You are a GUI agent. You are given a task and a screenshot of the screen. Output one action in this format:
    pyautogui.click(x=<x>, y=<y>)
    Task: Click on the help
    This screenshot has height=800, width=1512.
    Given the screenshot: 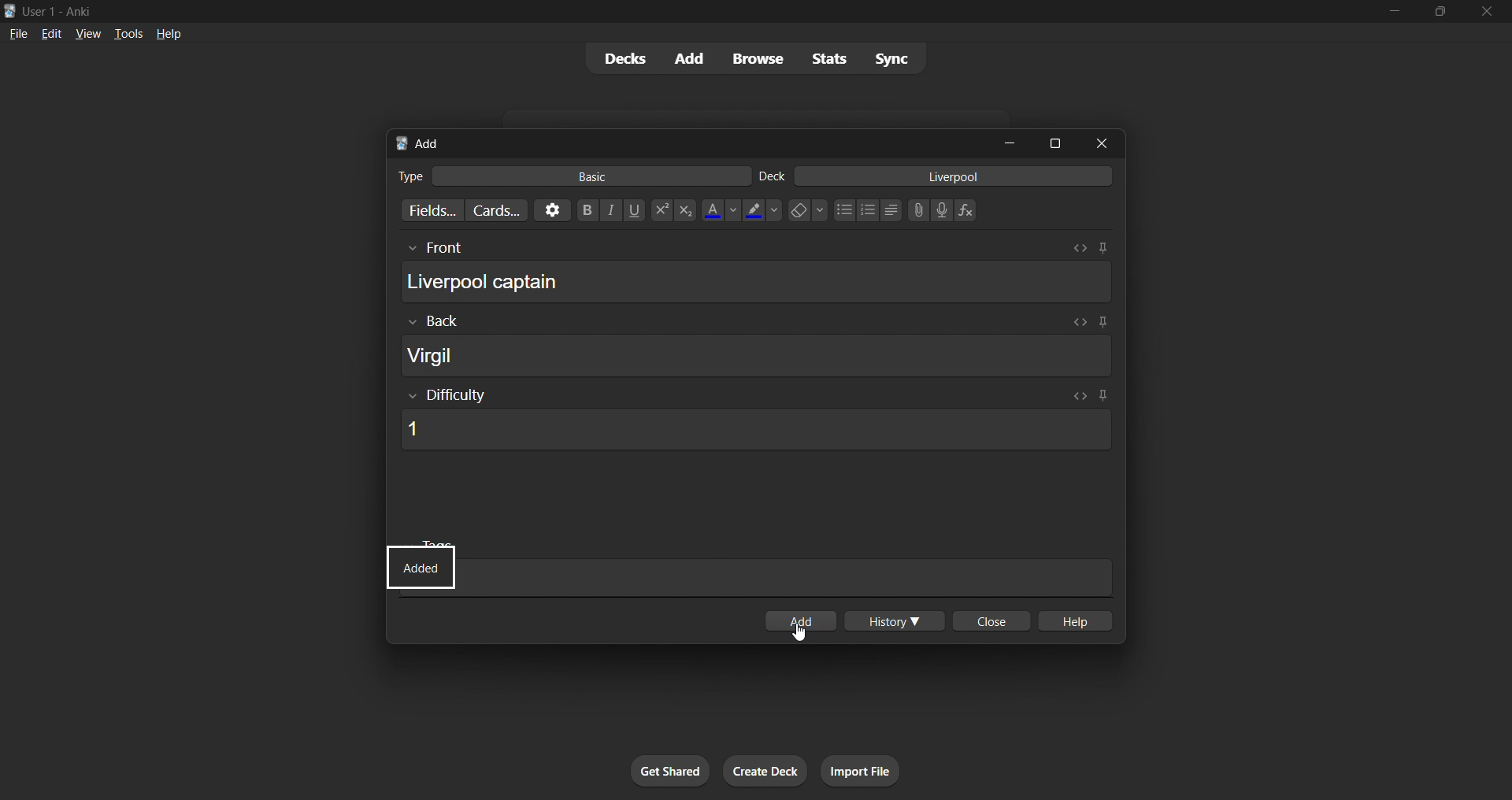 What is the action you would take?
    pyautogui.click(x=169, y=34)
    